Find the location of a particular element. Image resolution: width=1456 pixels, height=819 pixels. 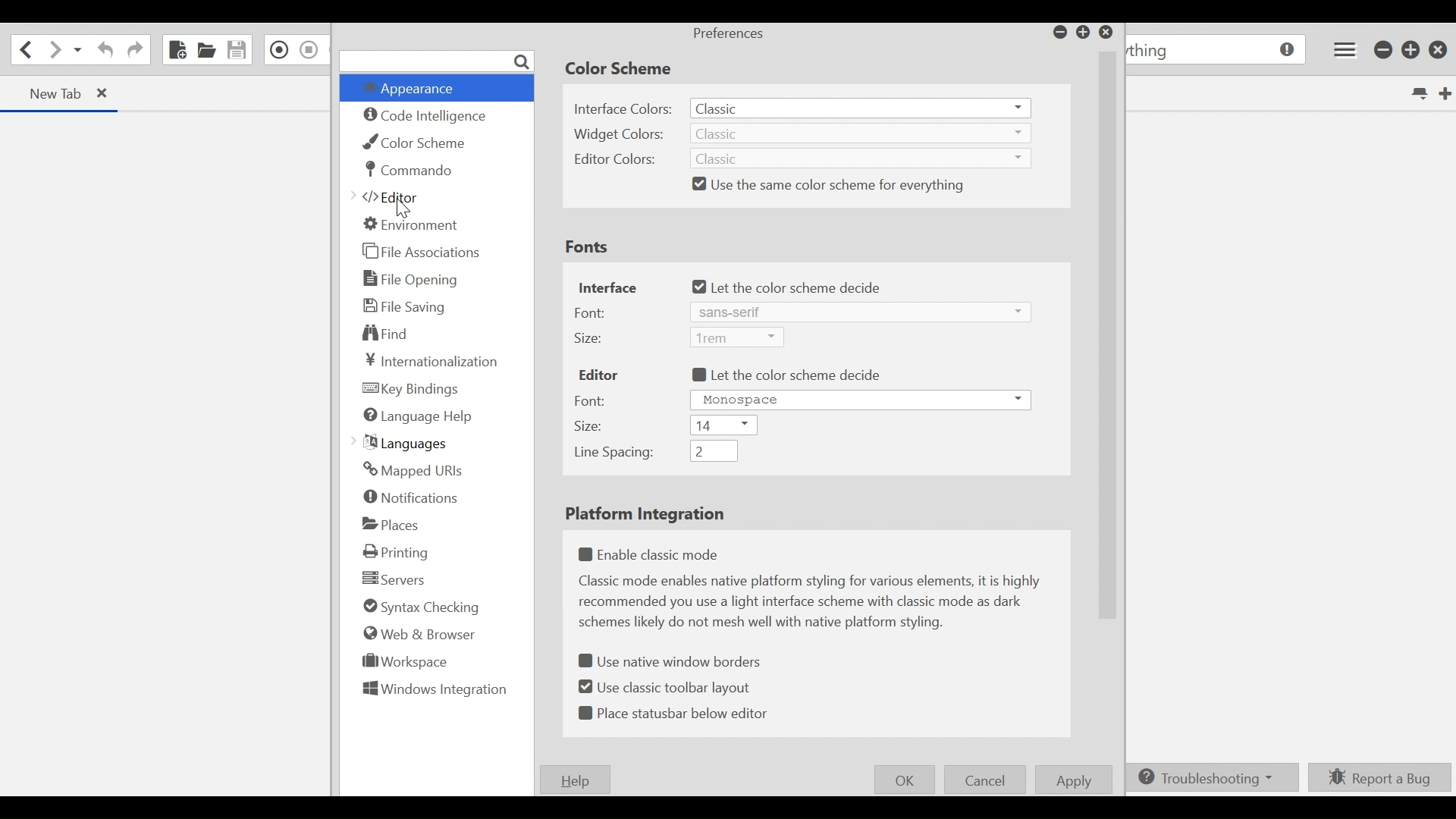

Help is located at coordinates (573, 779).